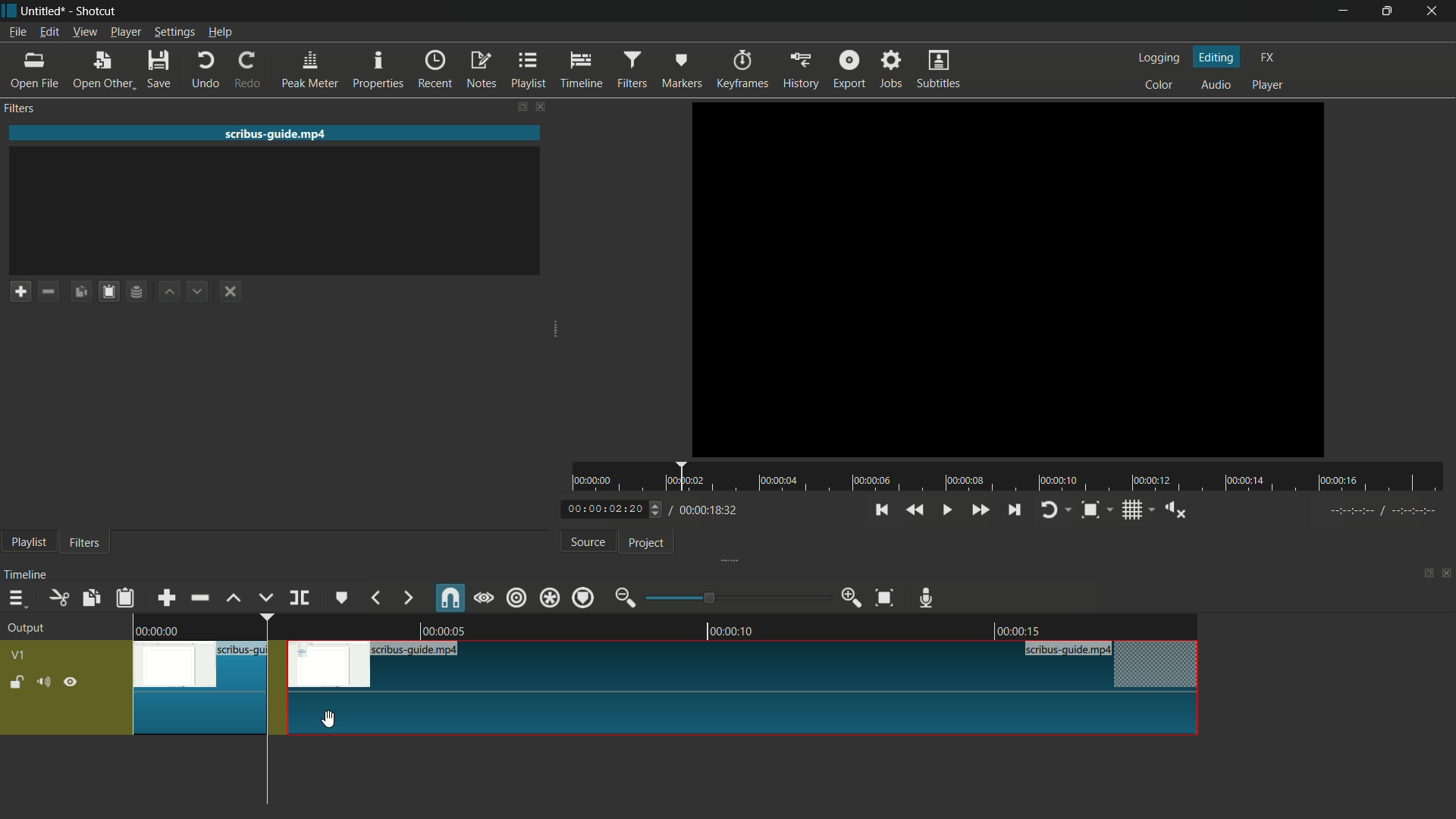 The image size is (1456, 819). What do you see at coordinates (946, 510) in the screenshot?
I see `toggle play or pause` at bounding box center [946, 510].